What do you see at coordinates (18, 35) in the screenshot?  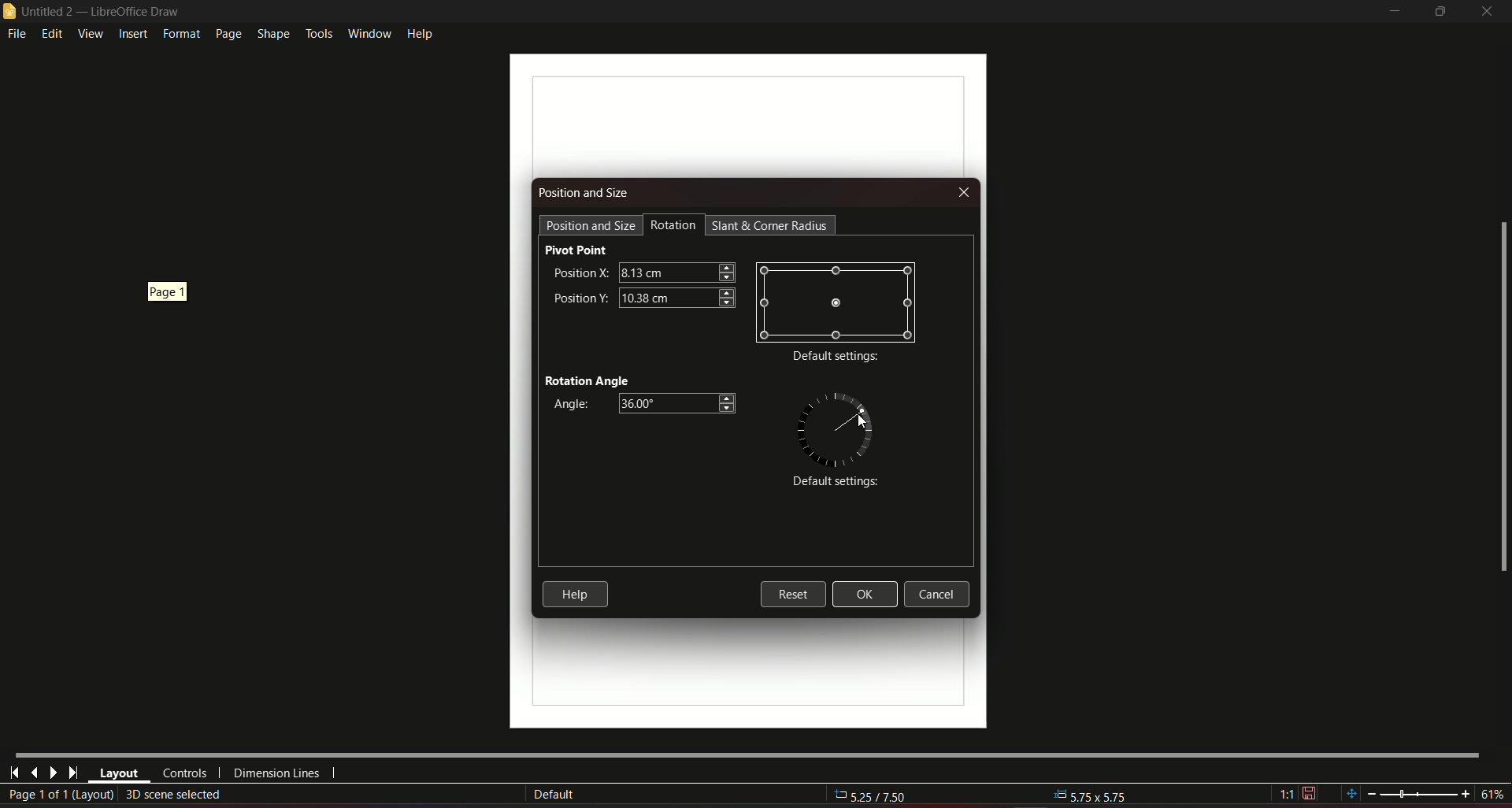 I see `file` at bounding box center [18, 35].